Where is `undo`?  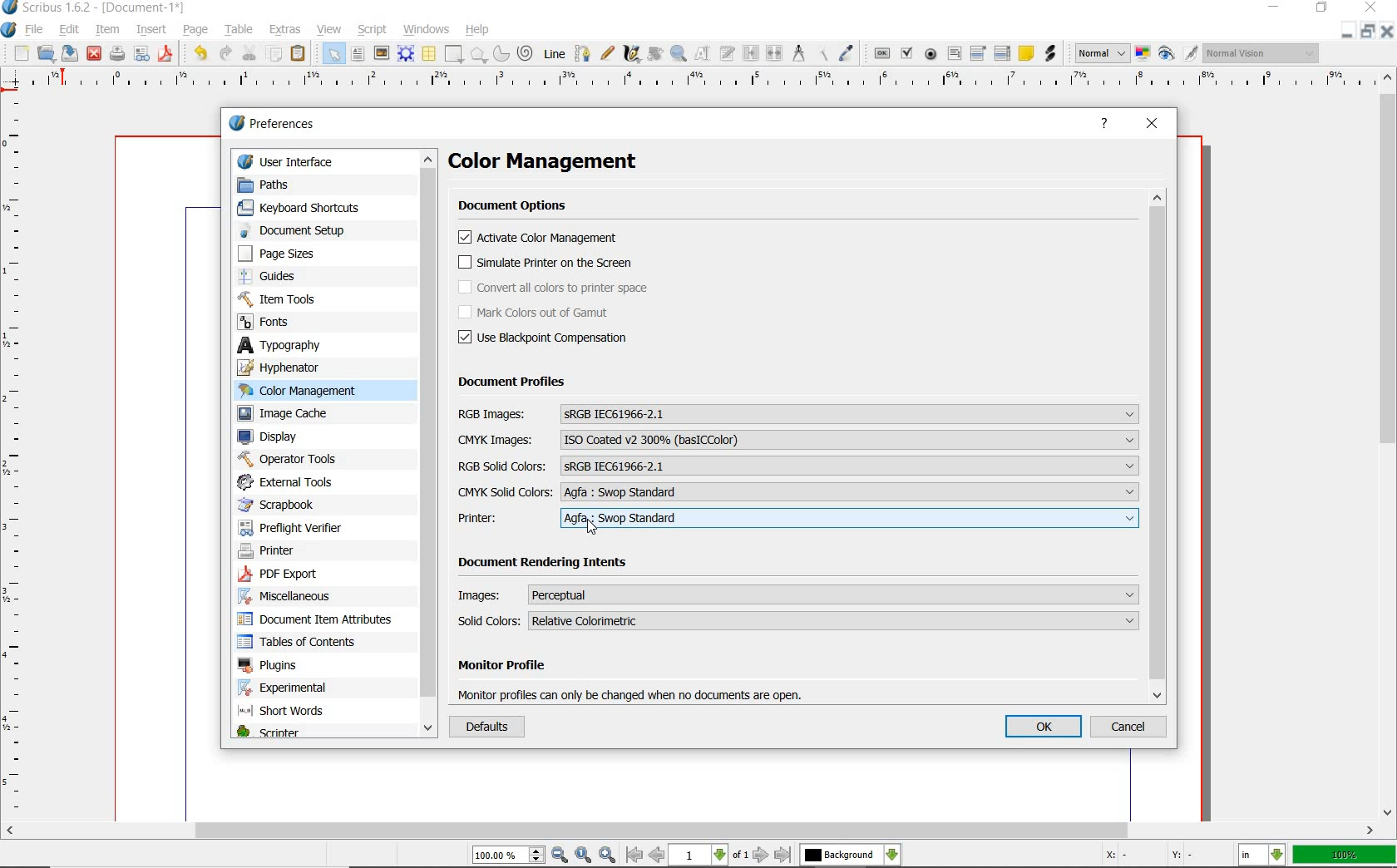 undo is located at coordinates (200, 53).